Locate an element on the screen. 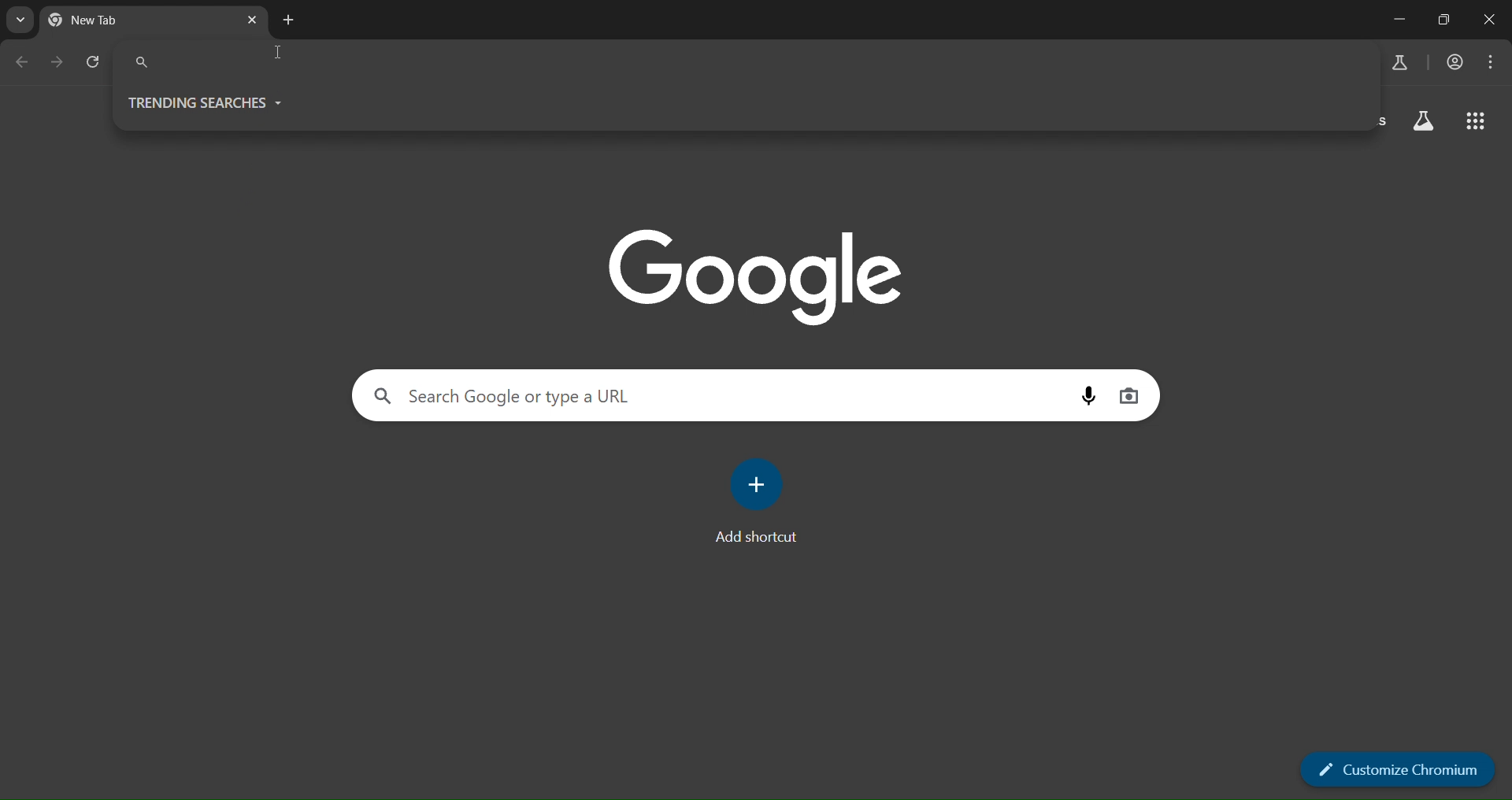 This screenshot has width=1512, height=800. new tab is located at coordinates (287, 20).